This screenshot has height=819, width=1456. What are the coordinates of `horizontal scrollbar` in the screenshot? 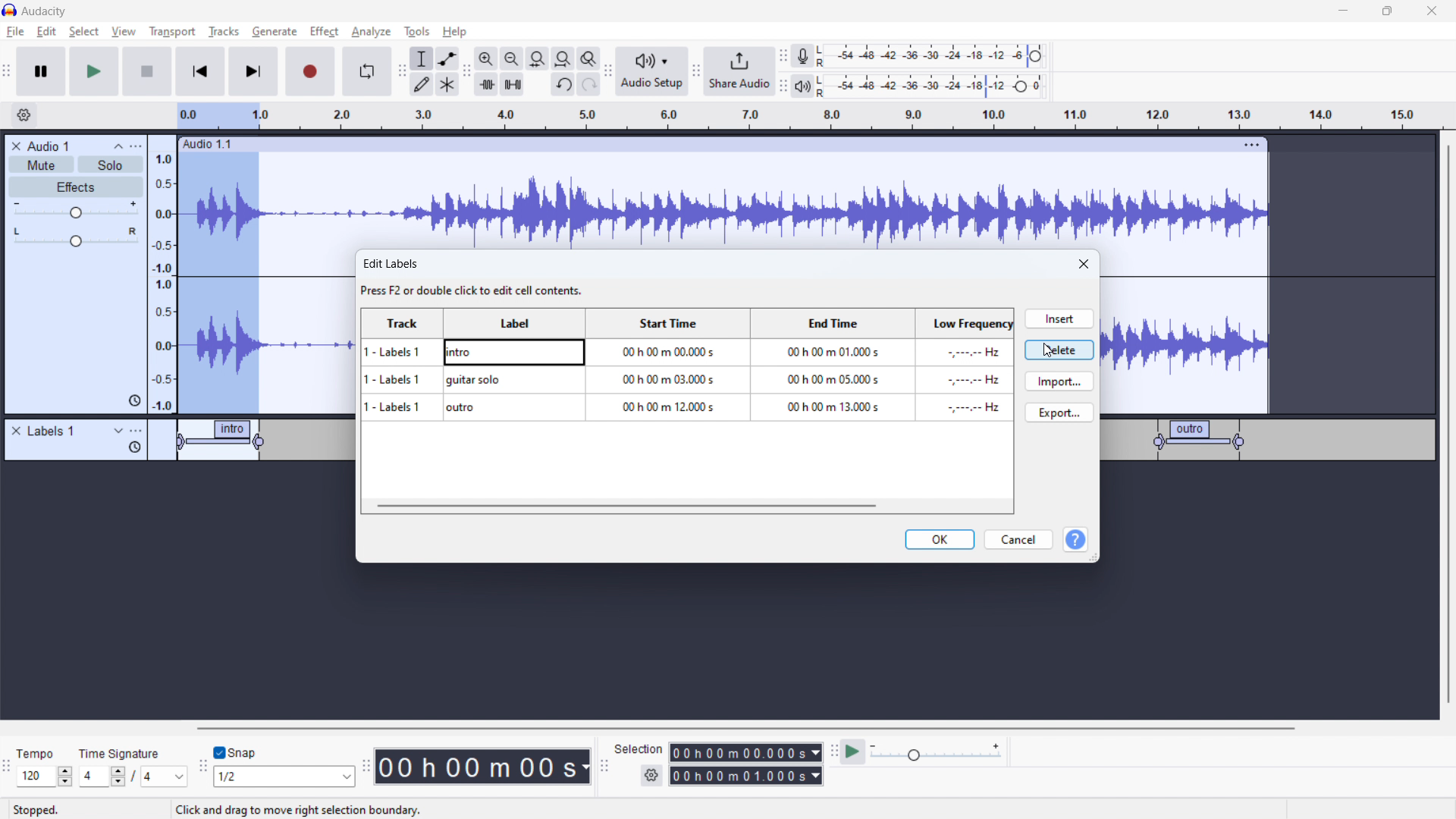 It's located at (626, 505).